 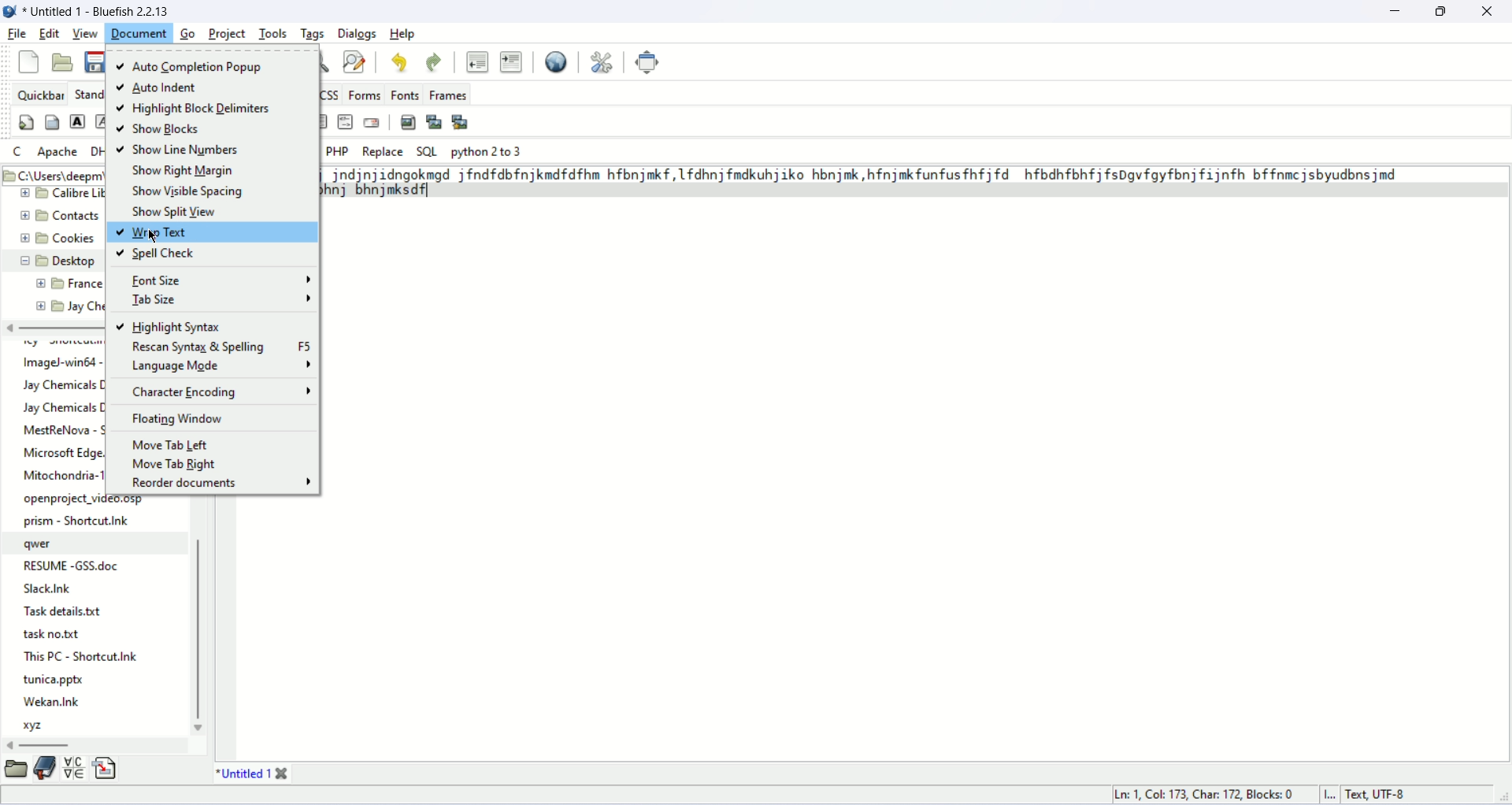 I want to click on email, so click(x=371, y=122).